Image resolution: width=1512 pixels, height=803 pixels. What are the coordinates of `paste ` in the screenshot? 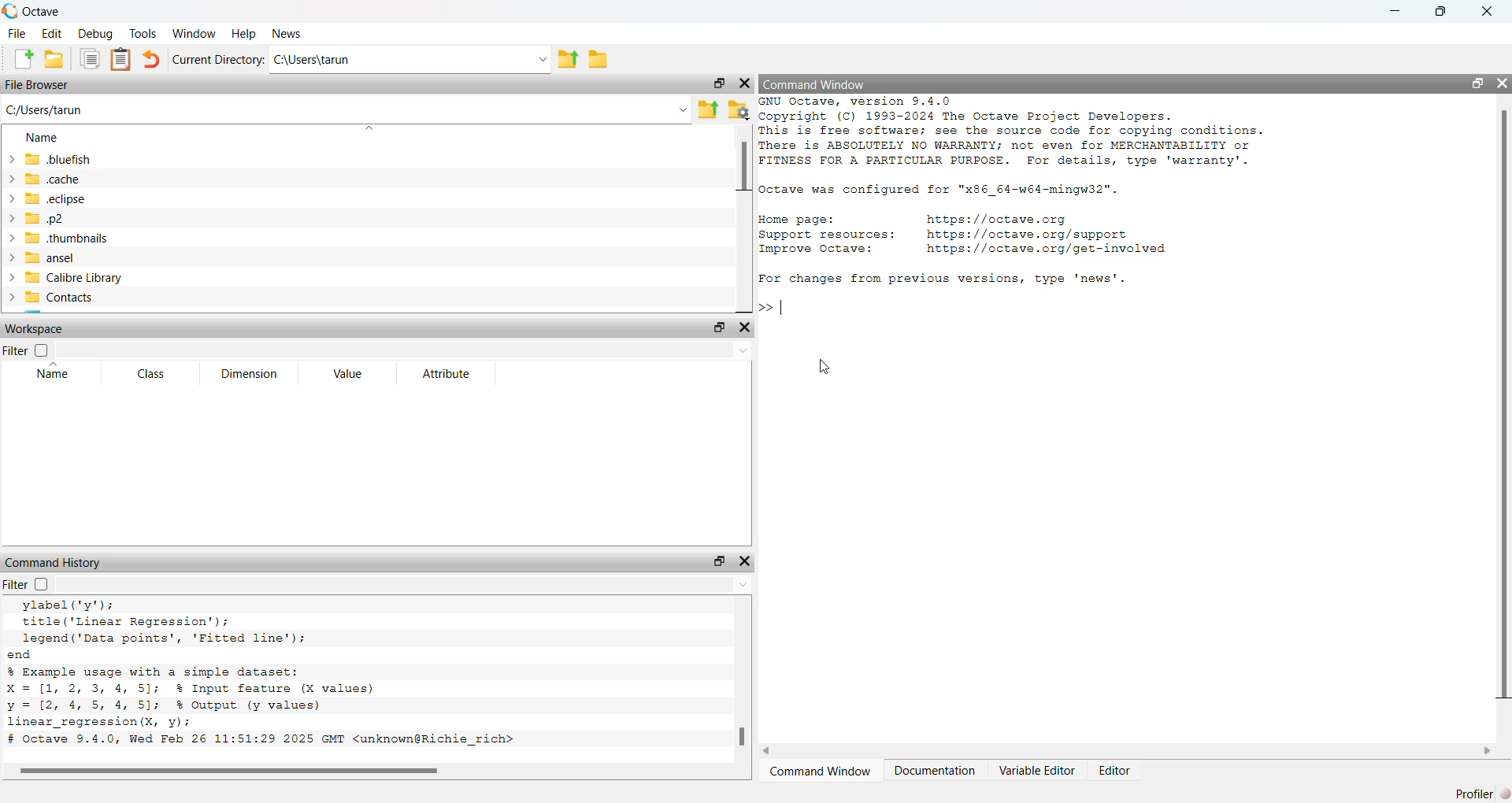 It's located at (123, 60).